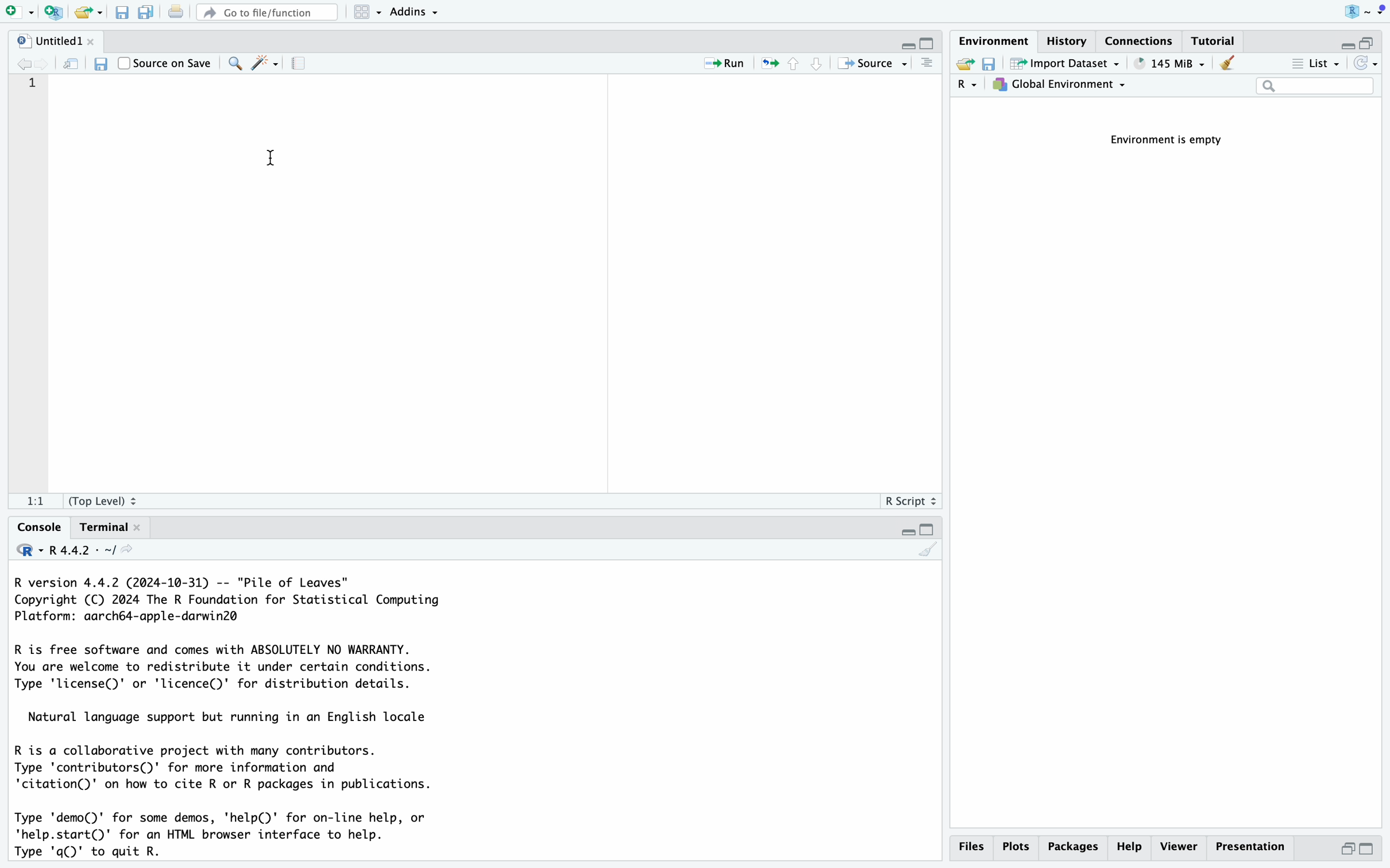 The width and height of the screenshot is (1390, 868). I want to click on workspace panes, so click(368, 12).